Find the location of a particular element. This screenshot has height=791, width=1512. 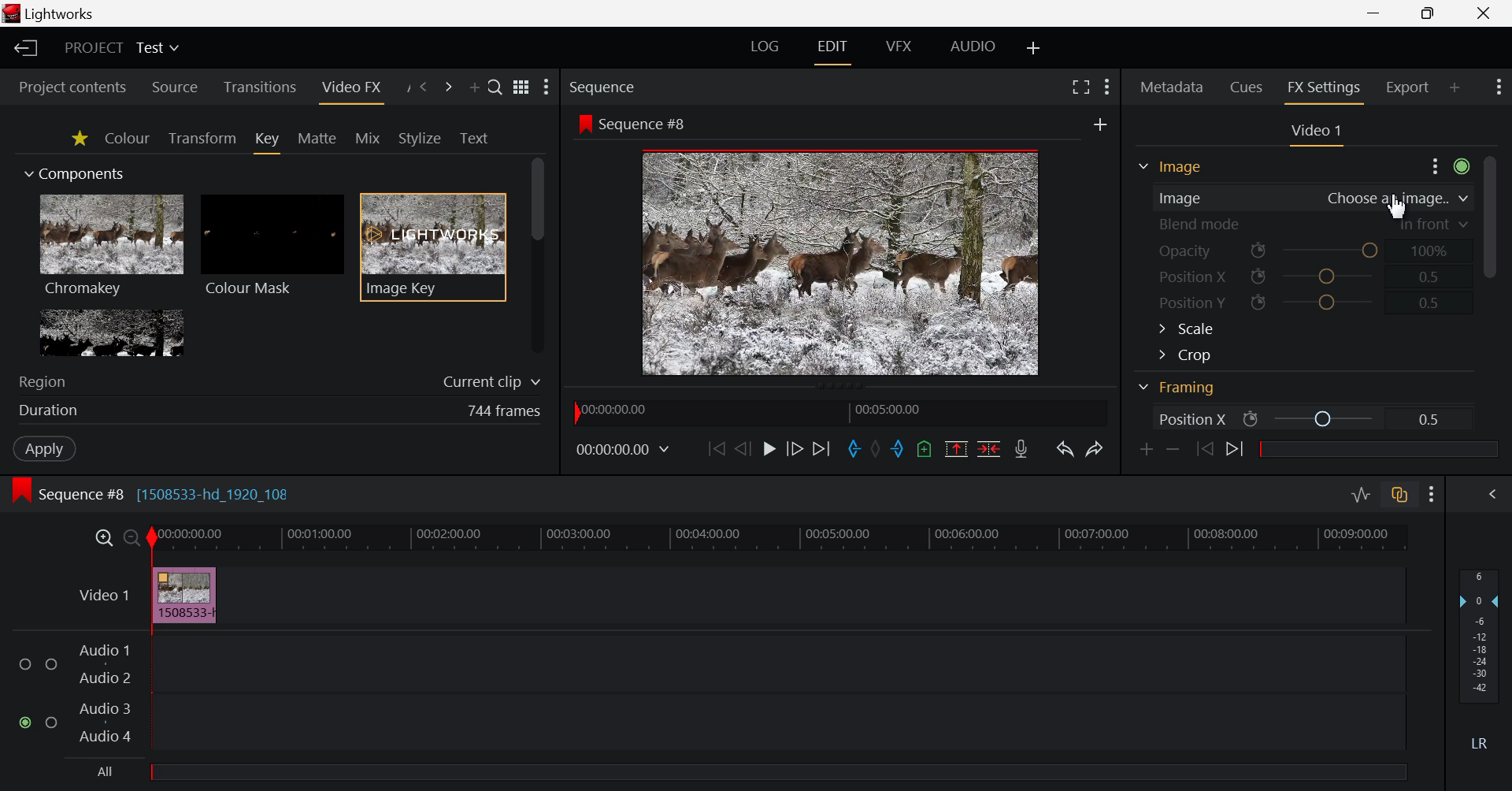

Previous Panel is located at coordinates (424, 87).